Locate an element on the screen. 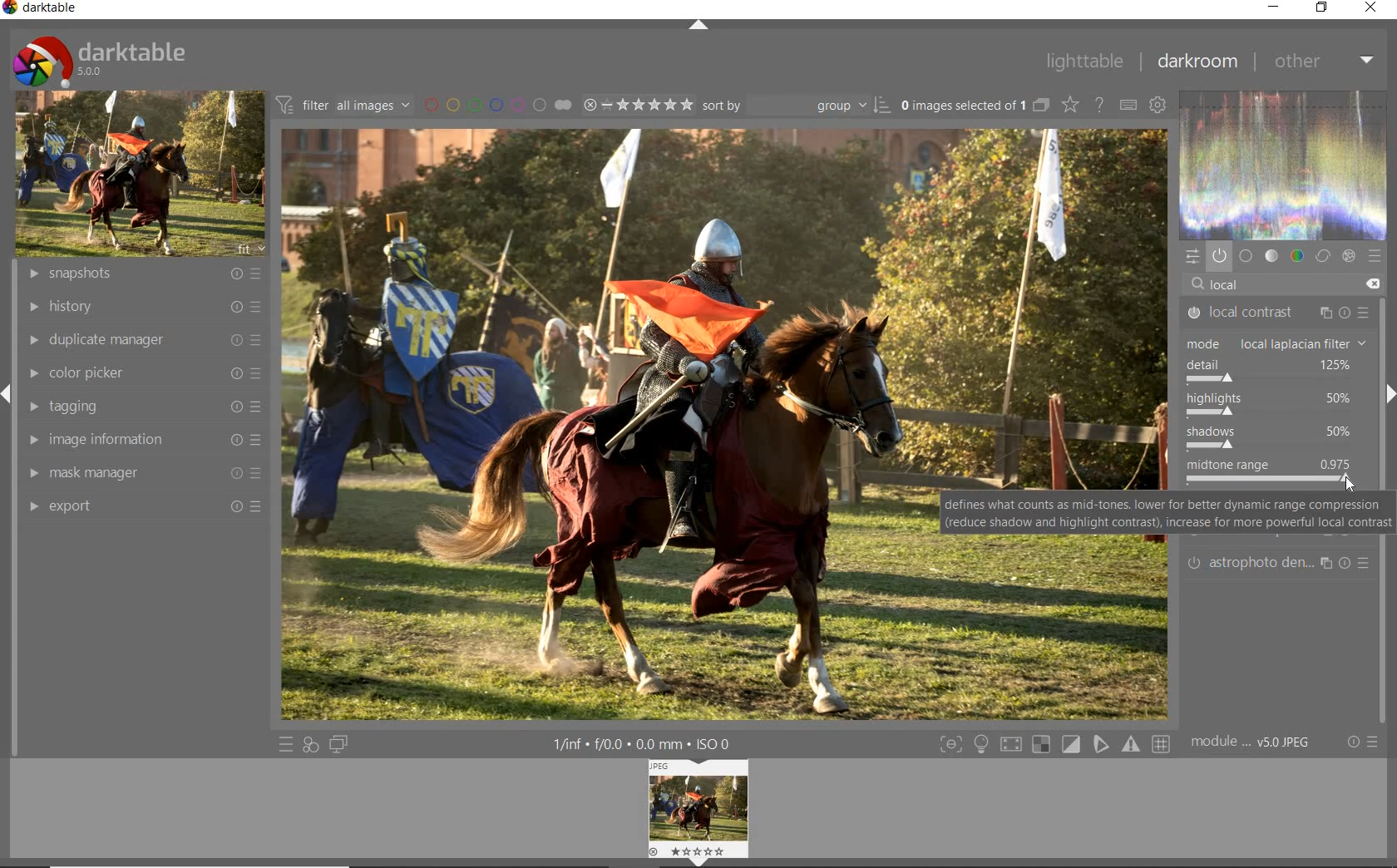  darkroom is located at coordinates (1196, 64).